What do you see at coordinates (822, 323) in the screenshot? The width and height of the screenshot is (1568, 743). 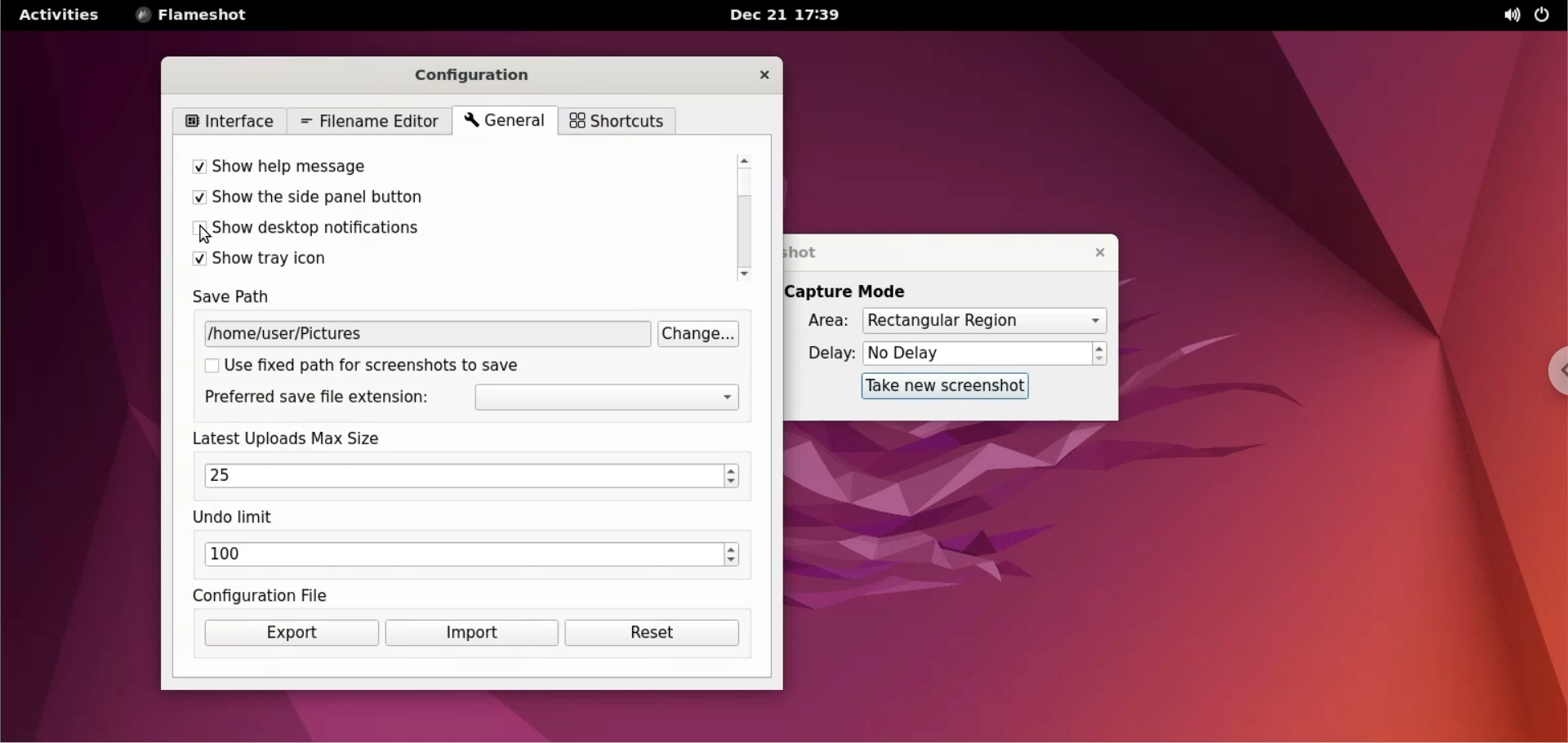 I see `area:` at bounding box center [822, 323].